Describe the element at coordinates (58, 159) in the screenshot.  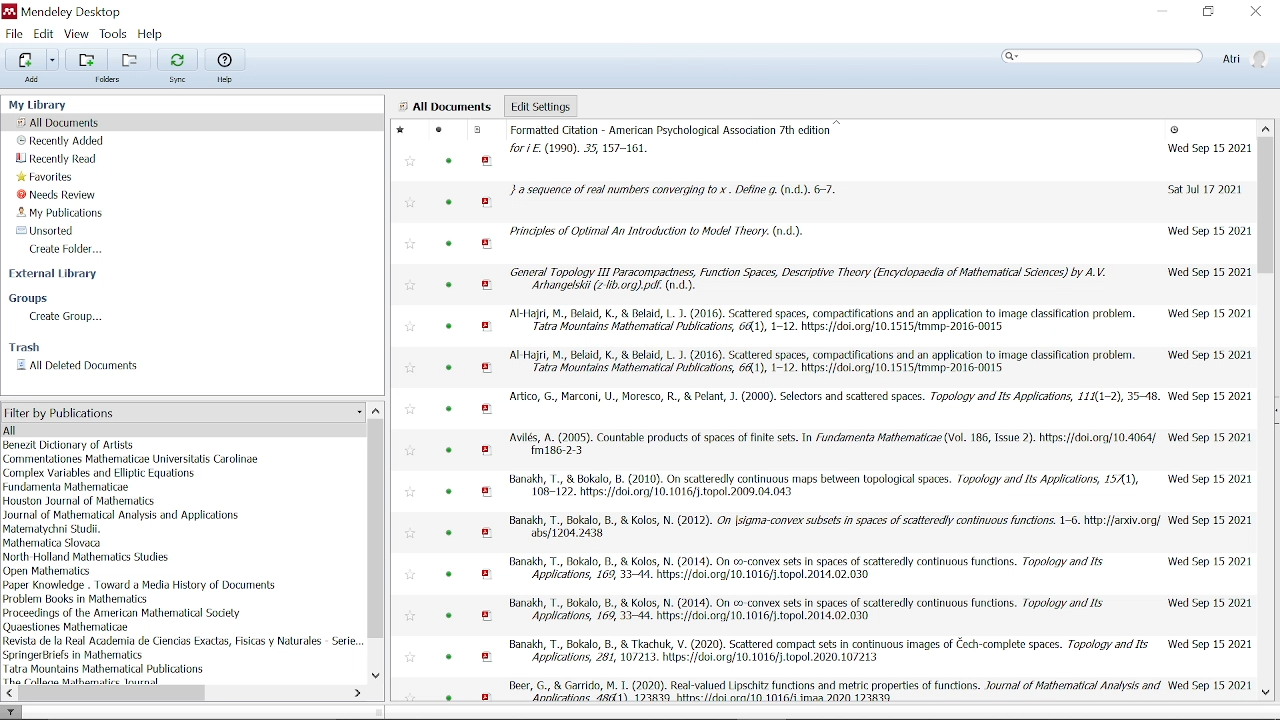
I see `Recently Read` at that location.